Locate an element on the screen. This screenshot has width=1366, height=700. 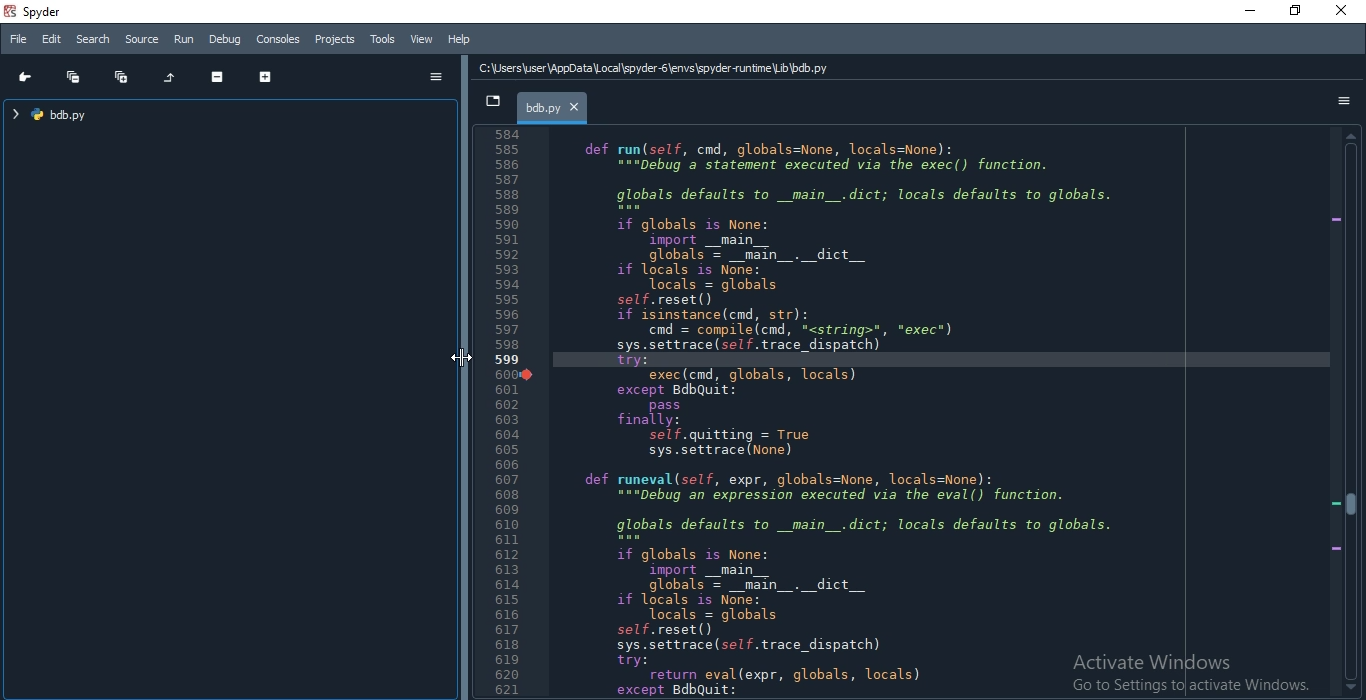
Projects is located at coordinates (335, 38).